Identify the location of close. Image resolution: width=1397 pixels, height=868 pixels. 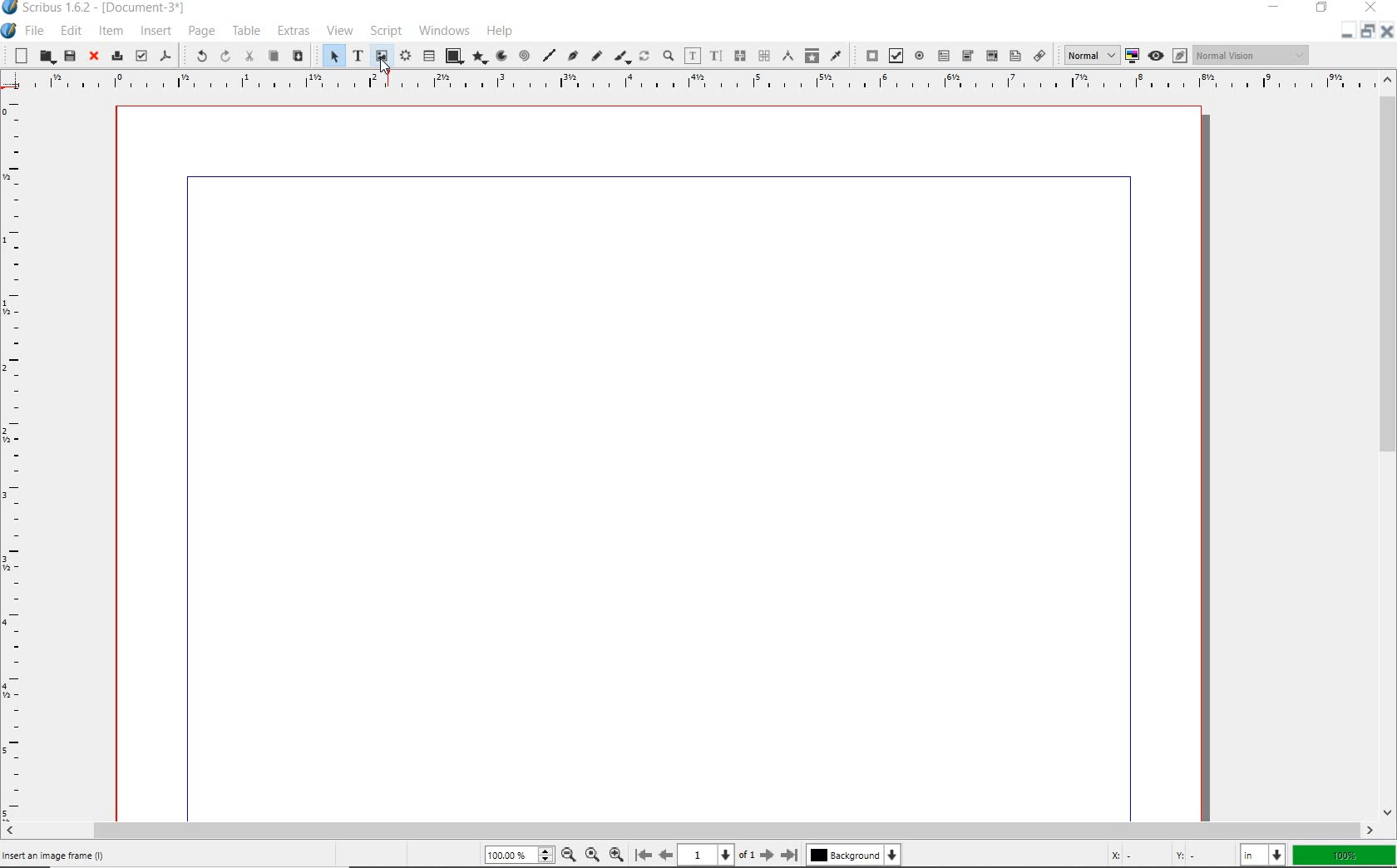
(95, 56).